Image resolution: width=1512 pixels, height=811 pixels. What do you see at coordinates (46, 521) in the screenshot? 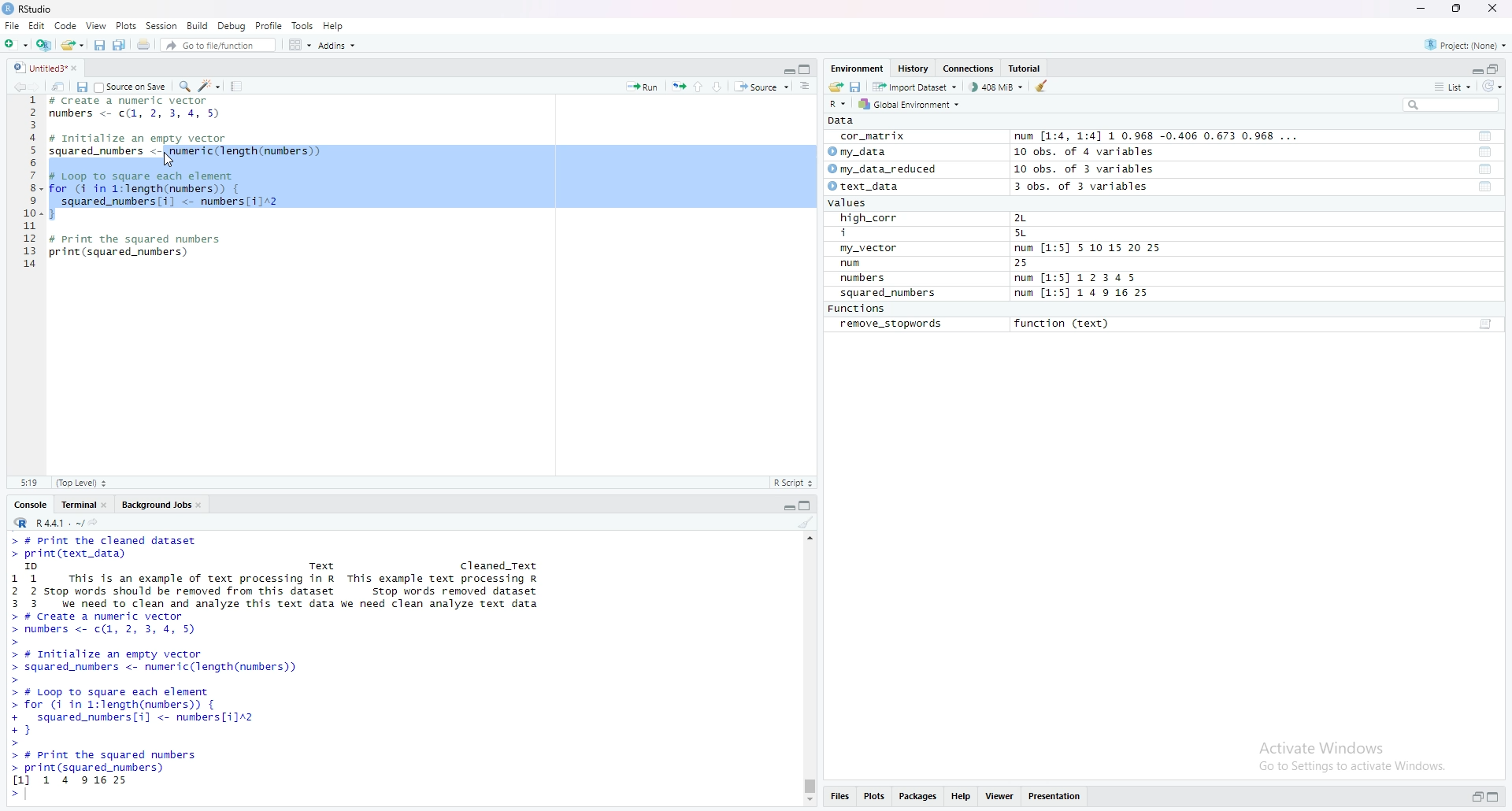
I see `R 4.4.1 ~/` at bounding box center [46, 521].